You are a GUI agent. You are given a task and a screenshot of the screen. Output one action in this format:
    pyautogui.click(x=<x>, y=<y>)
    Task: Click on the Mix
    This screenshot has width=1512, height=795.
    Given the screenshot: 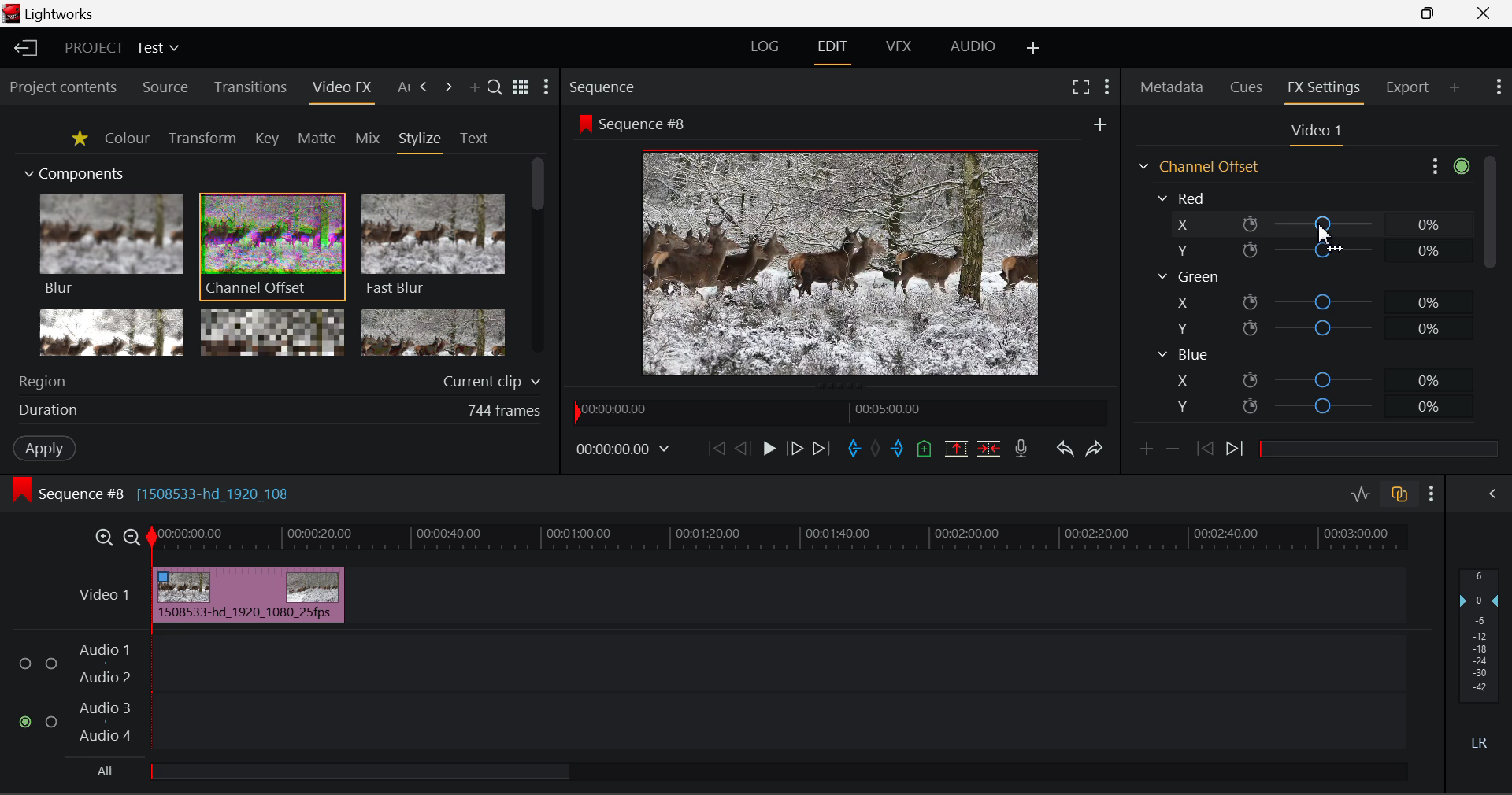 What is the action you would take?
    pyautogui.click(x=369, y=139)
    